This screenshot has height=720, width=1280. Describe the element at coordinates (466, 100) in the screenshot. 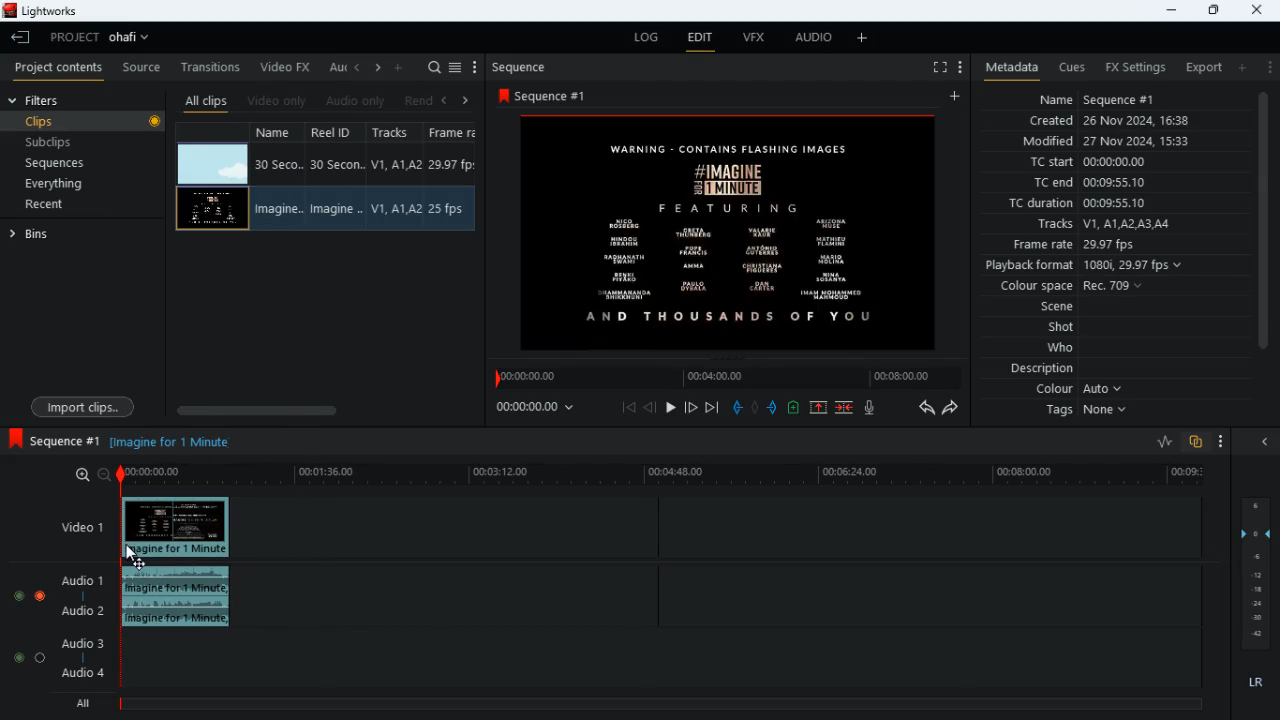

I see `right` at that location.